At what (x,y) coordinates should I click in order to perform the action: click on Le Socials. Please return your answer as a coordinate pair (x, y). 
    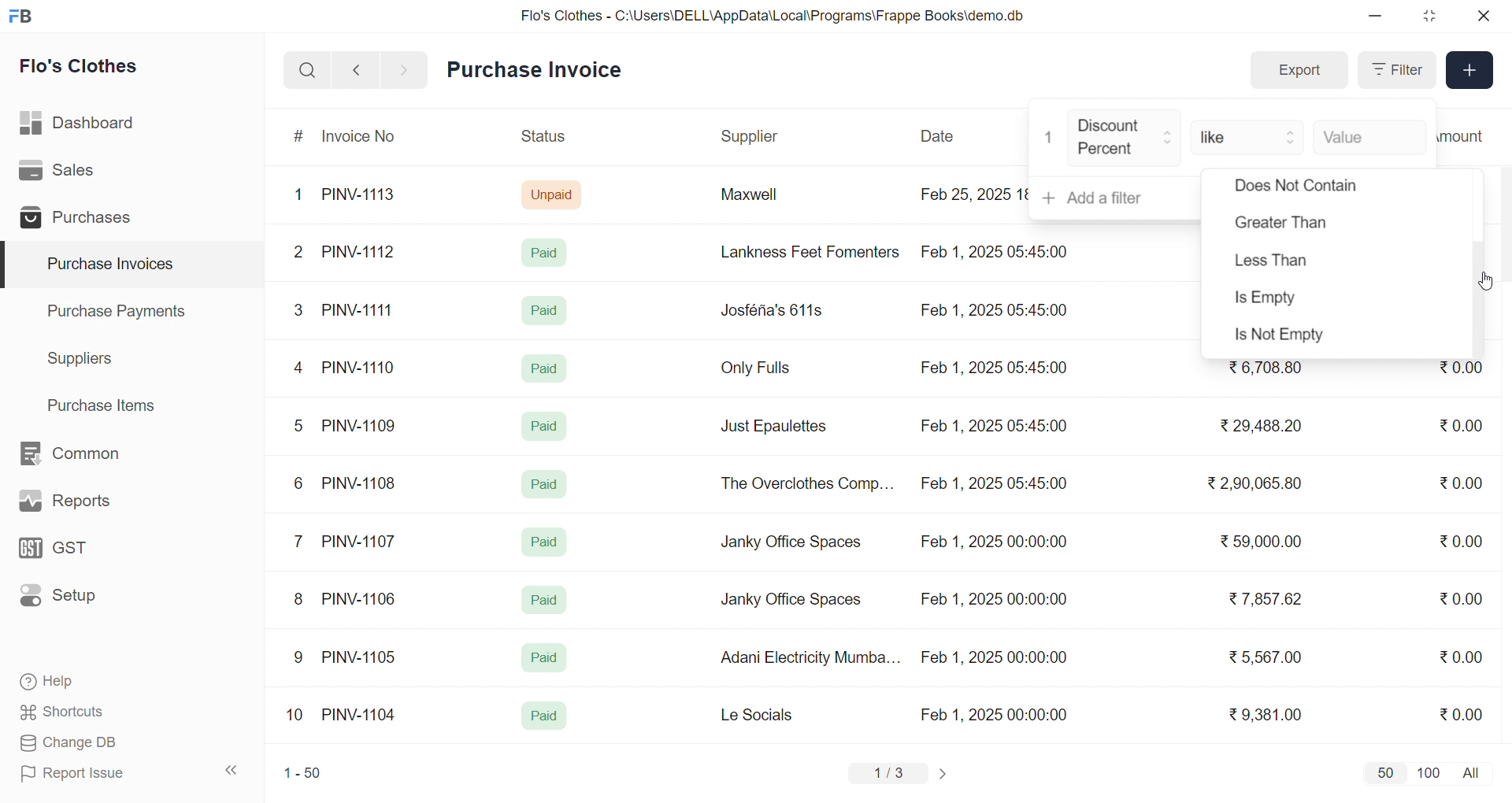
    Looking at the image, I should click on (770, 714).